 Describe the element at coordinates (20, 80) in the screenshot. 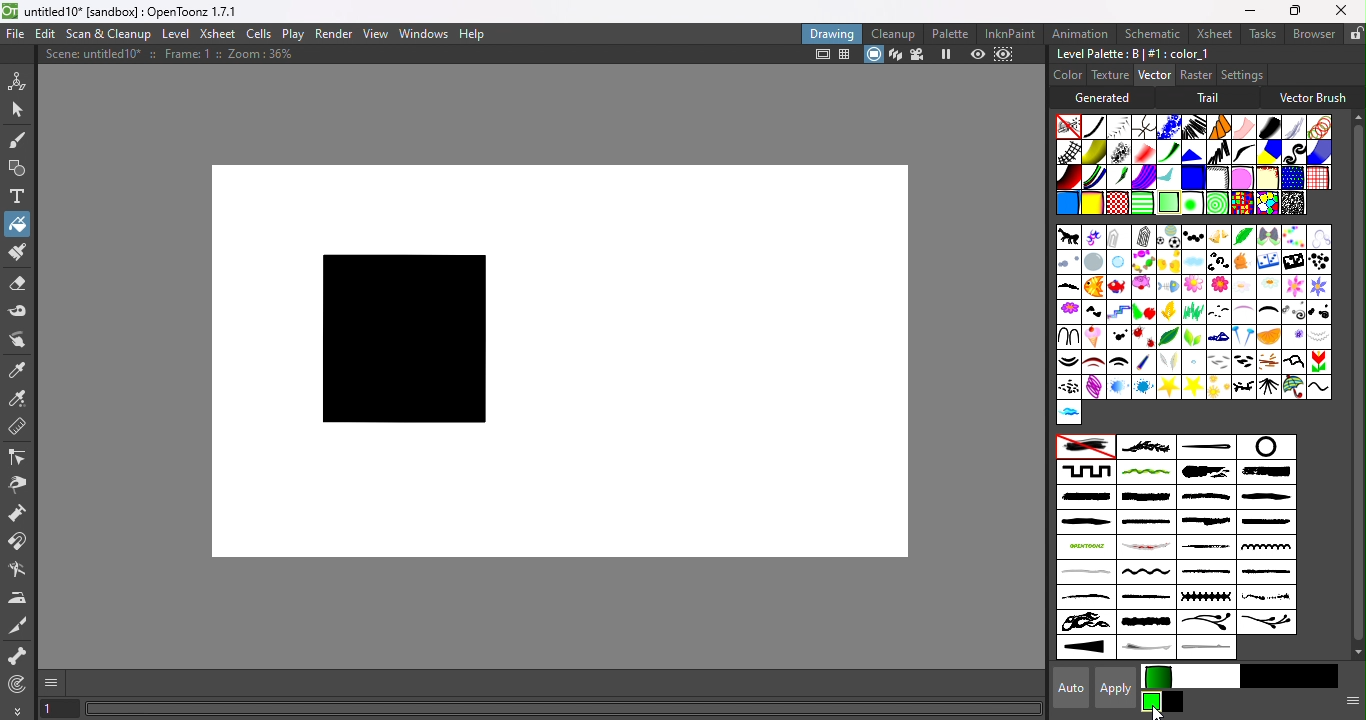

I see `Animate tool` at that location.